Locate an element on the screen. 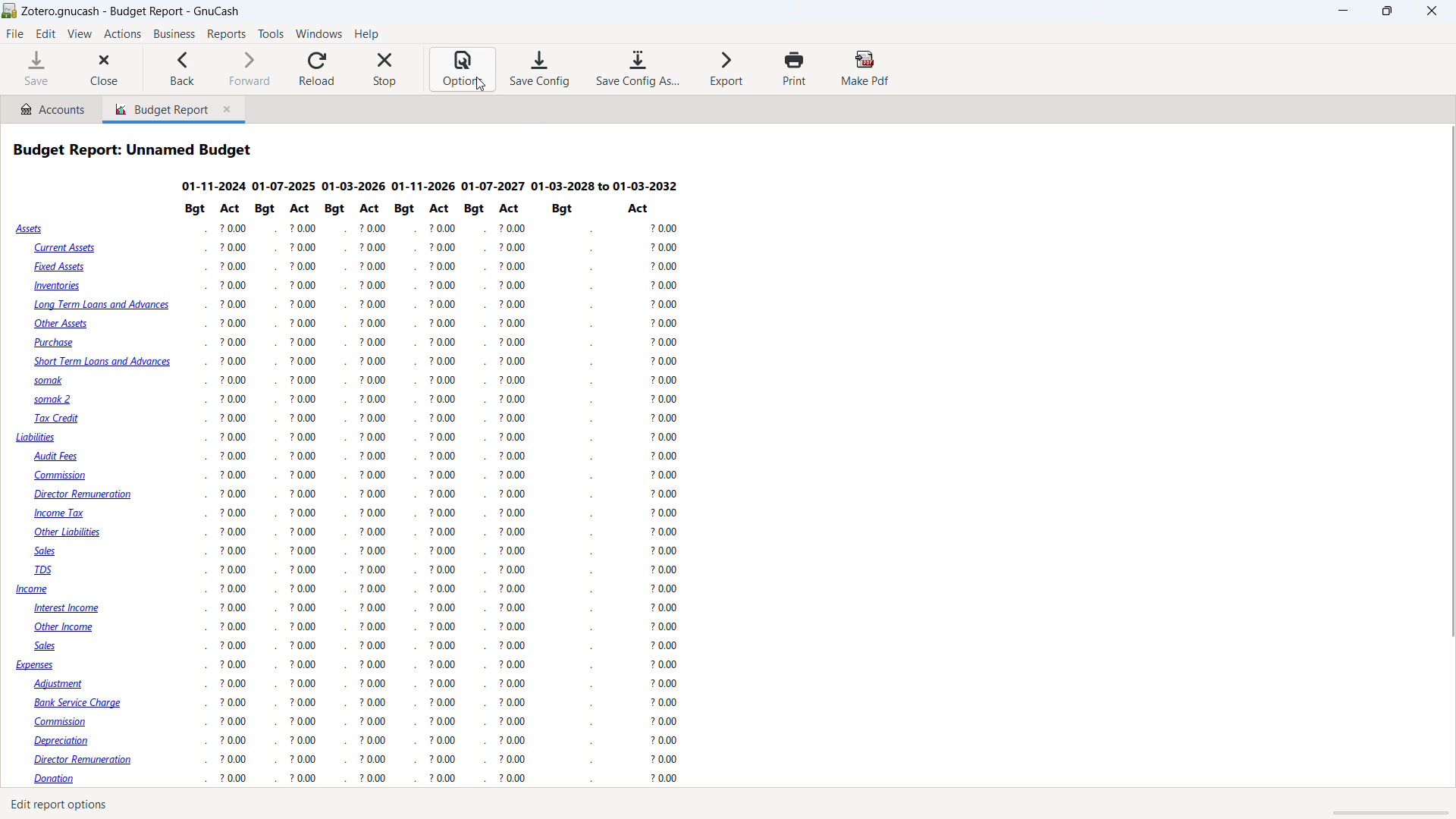 The image size is (1456, 819). Tax Credit is located at coordinates (58, 419).